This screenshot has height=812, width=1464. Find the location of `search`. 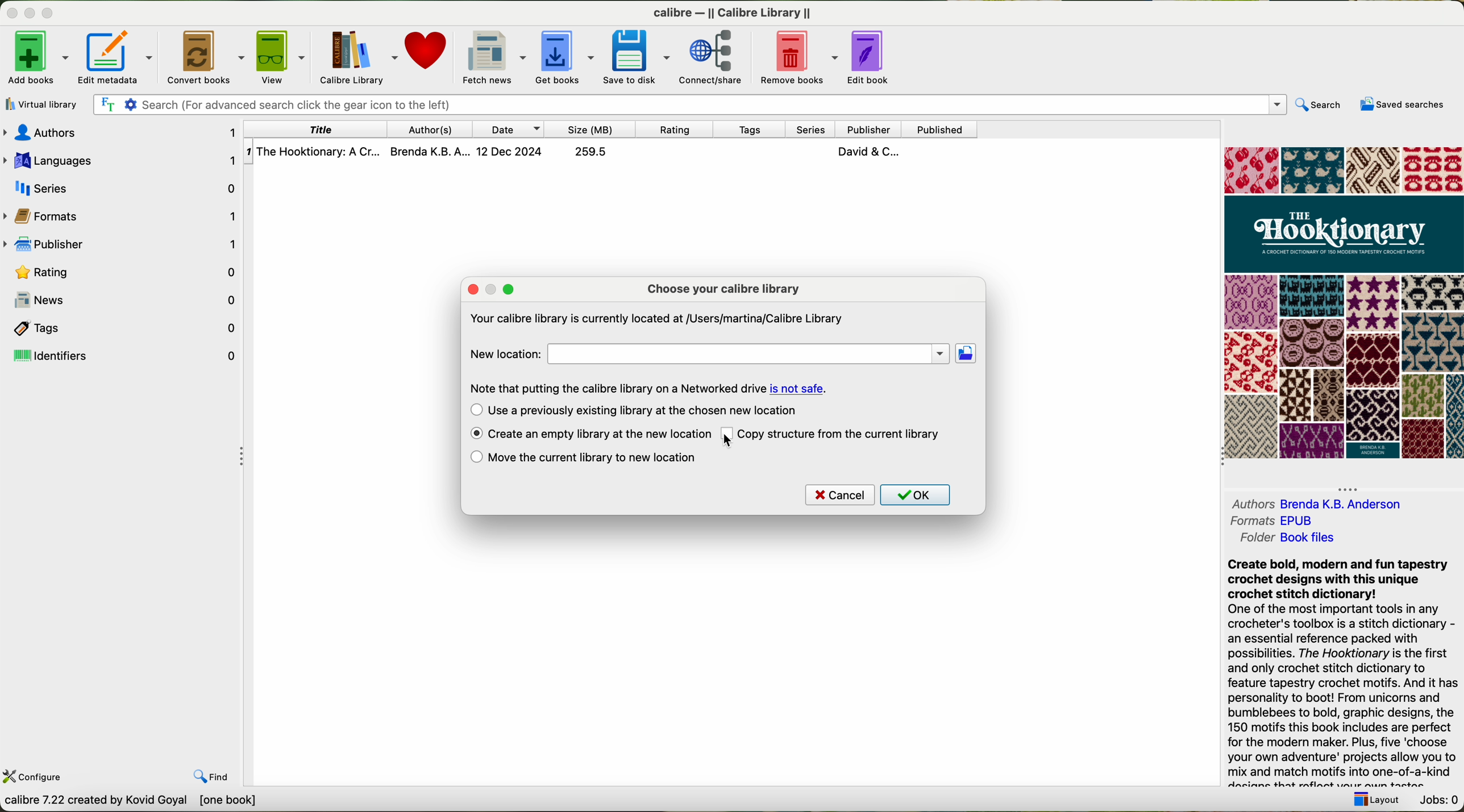

search is located at coordinates (1321, 105).